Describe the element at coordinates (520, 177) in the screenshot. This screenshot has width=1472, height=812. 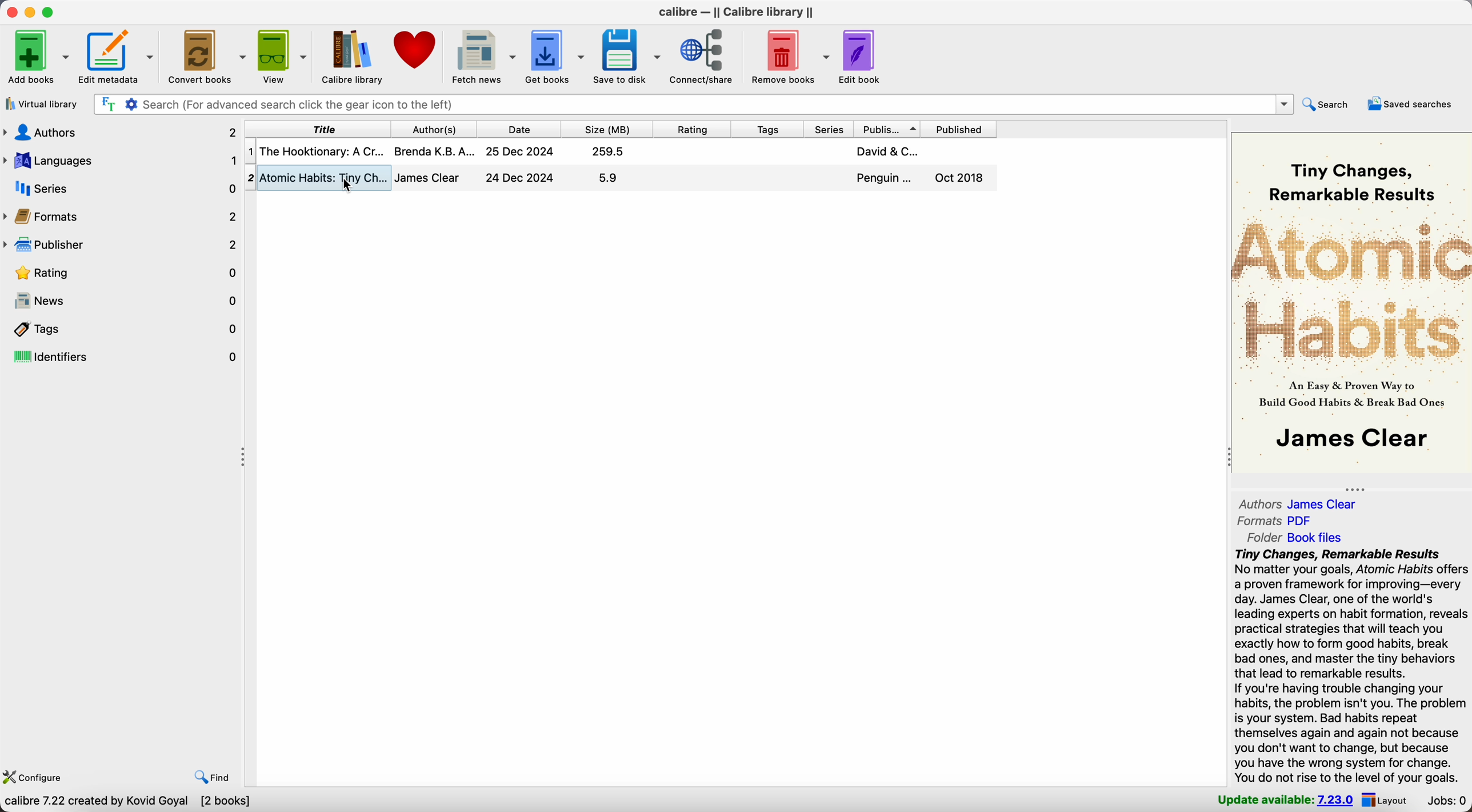
I see `24 Dec 2024` at that location.